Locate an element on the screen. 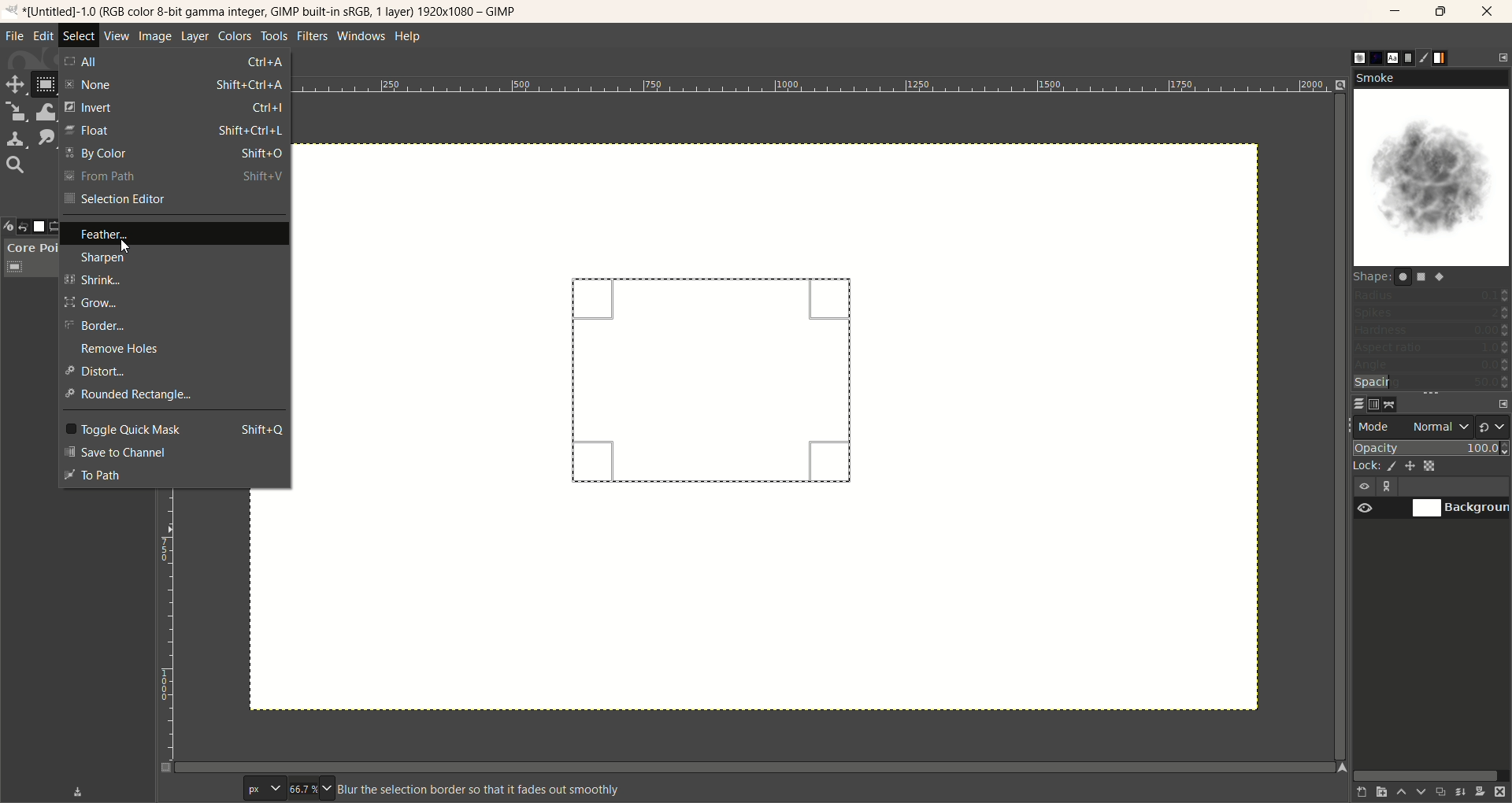 Image resolution: width=1512 pixels, height=803 pixels. colors is located at coordinates (235, 36).